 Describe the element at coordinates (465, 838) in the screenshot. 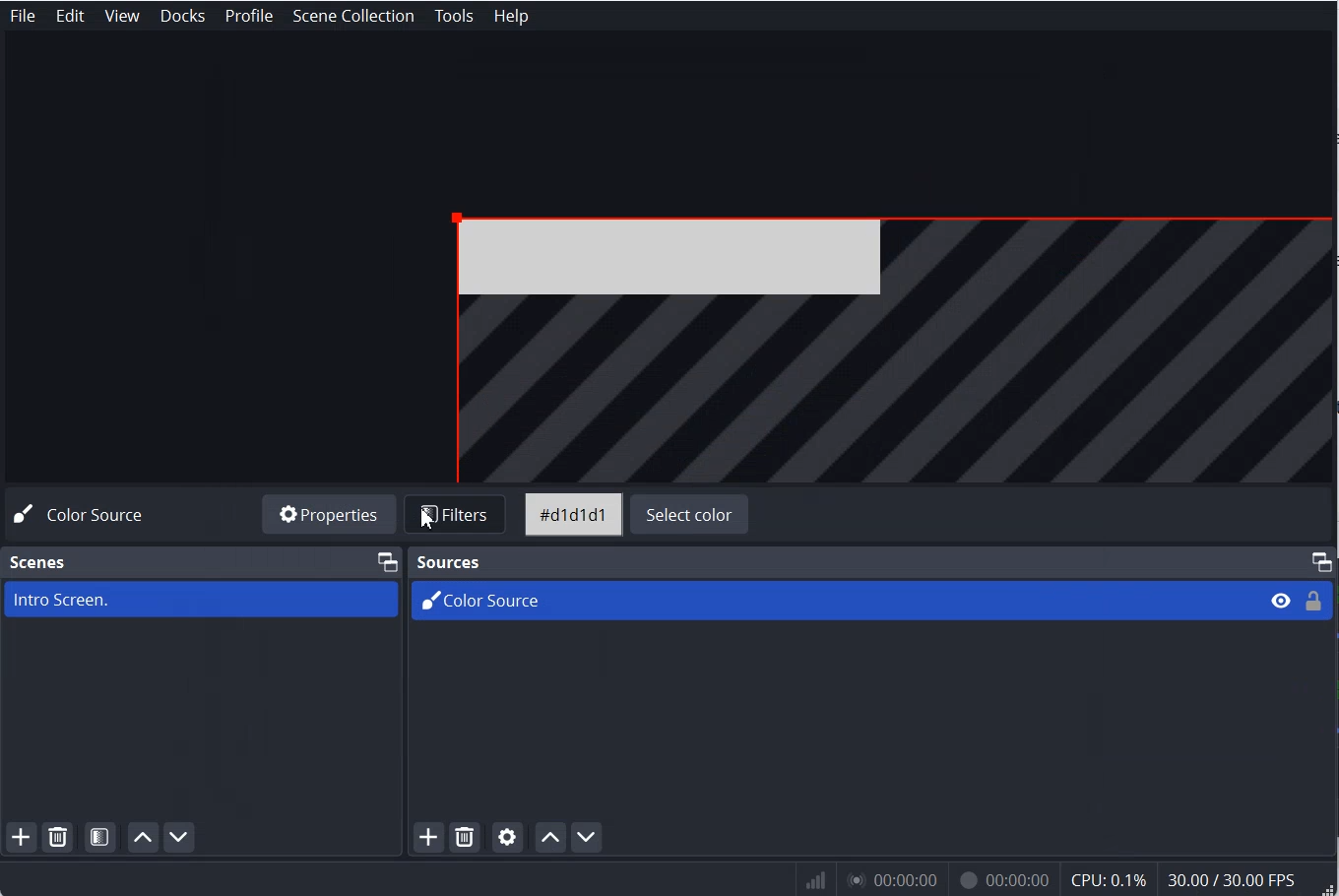

I see `Remove Selected Source` at that location.